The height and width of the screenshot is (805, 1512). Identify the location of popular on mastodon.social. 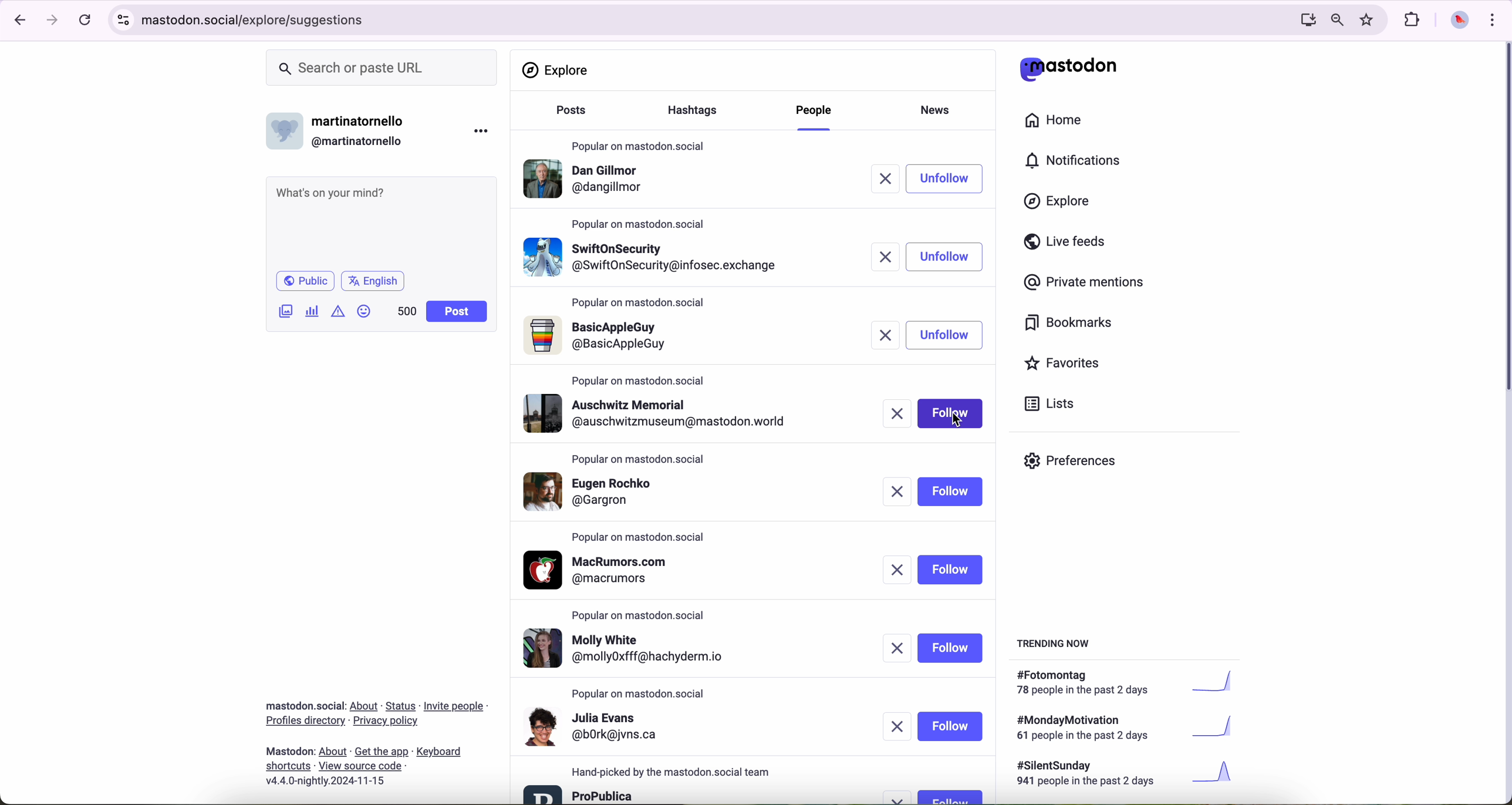
(640, 538).